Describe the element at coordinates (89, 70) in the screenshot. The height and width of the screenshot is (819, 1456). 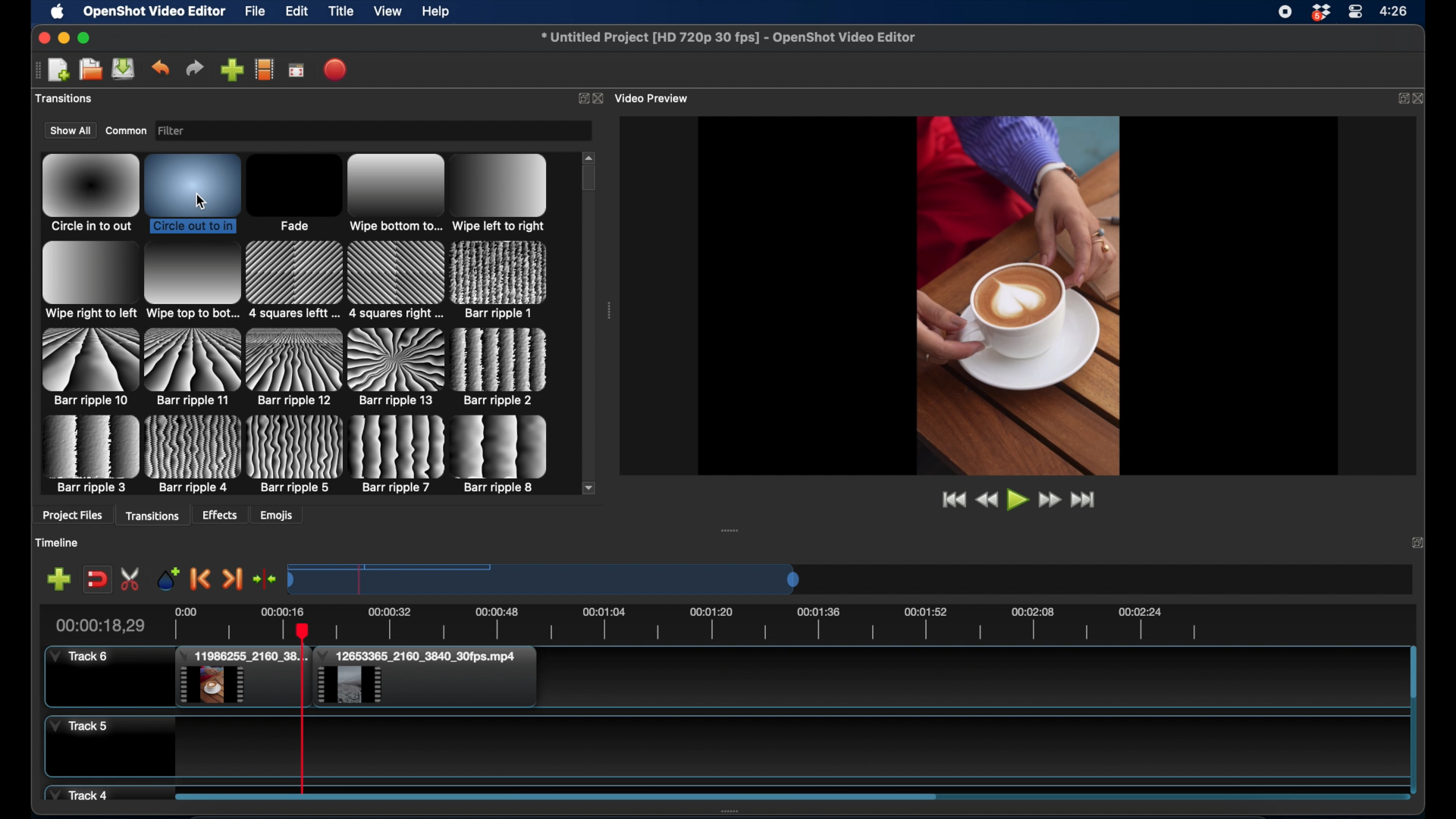
I see `open project` at that location.